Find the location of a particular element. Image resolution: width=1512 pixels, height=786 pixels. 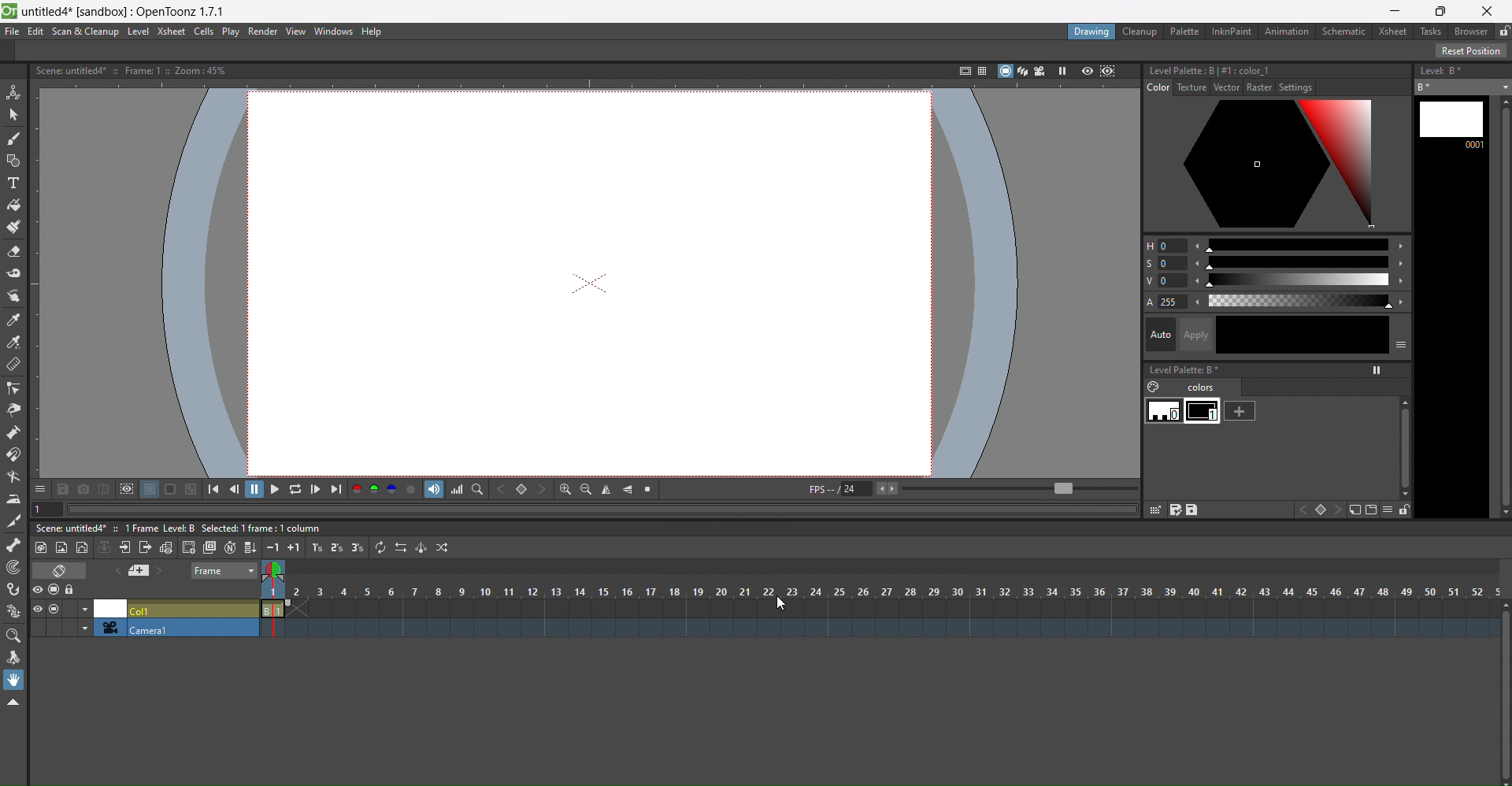

render is located at coordinates (265, 32).